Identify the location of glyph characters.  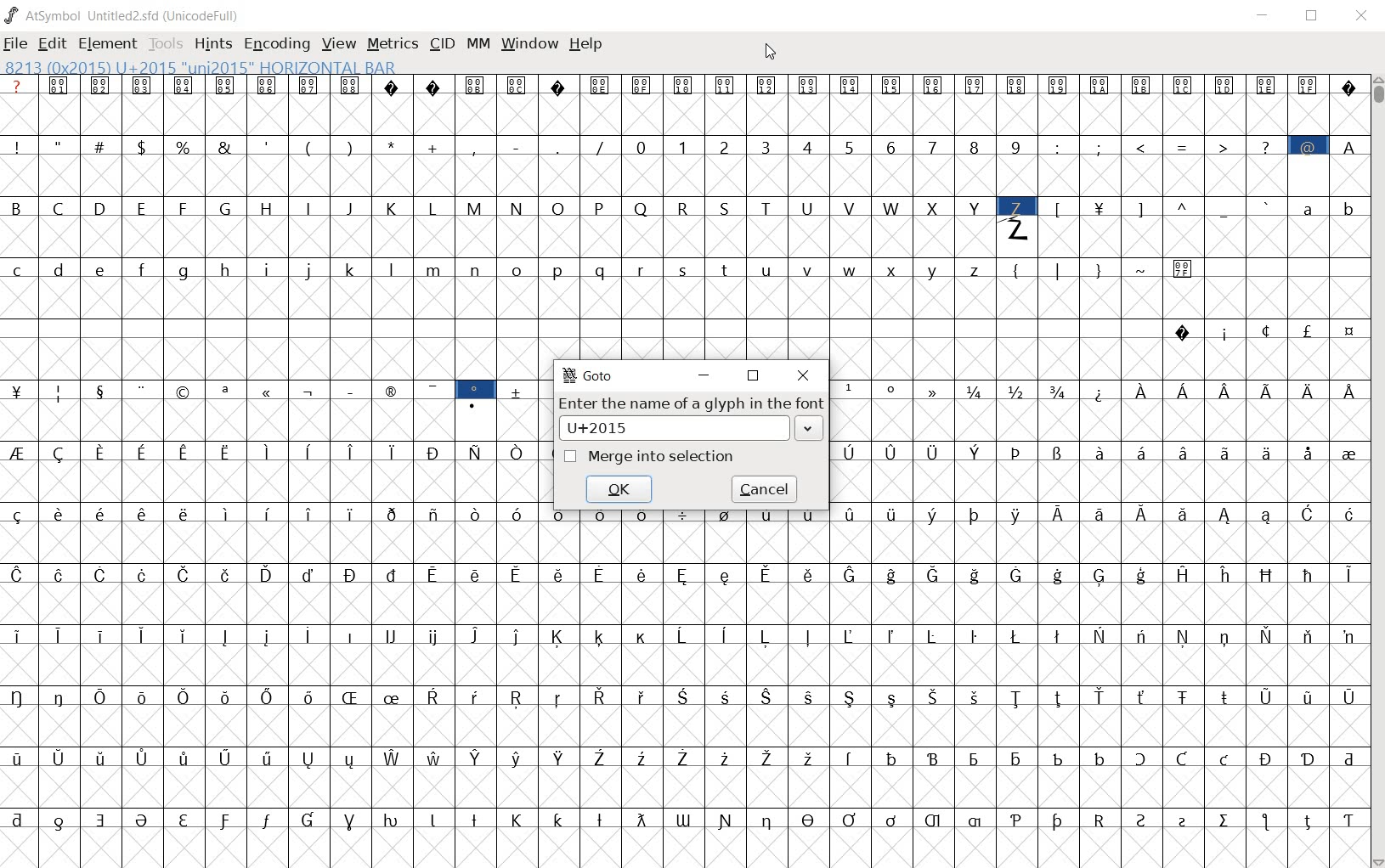
(1099, 468).